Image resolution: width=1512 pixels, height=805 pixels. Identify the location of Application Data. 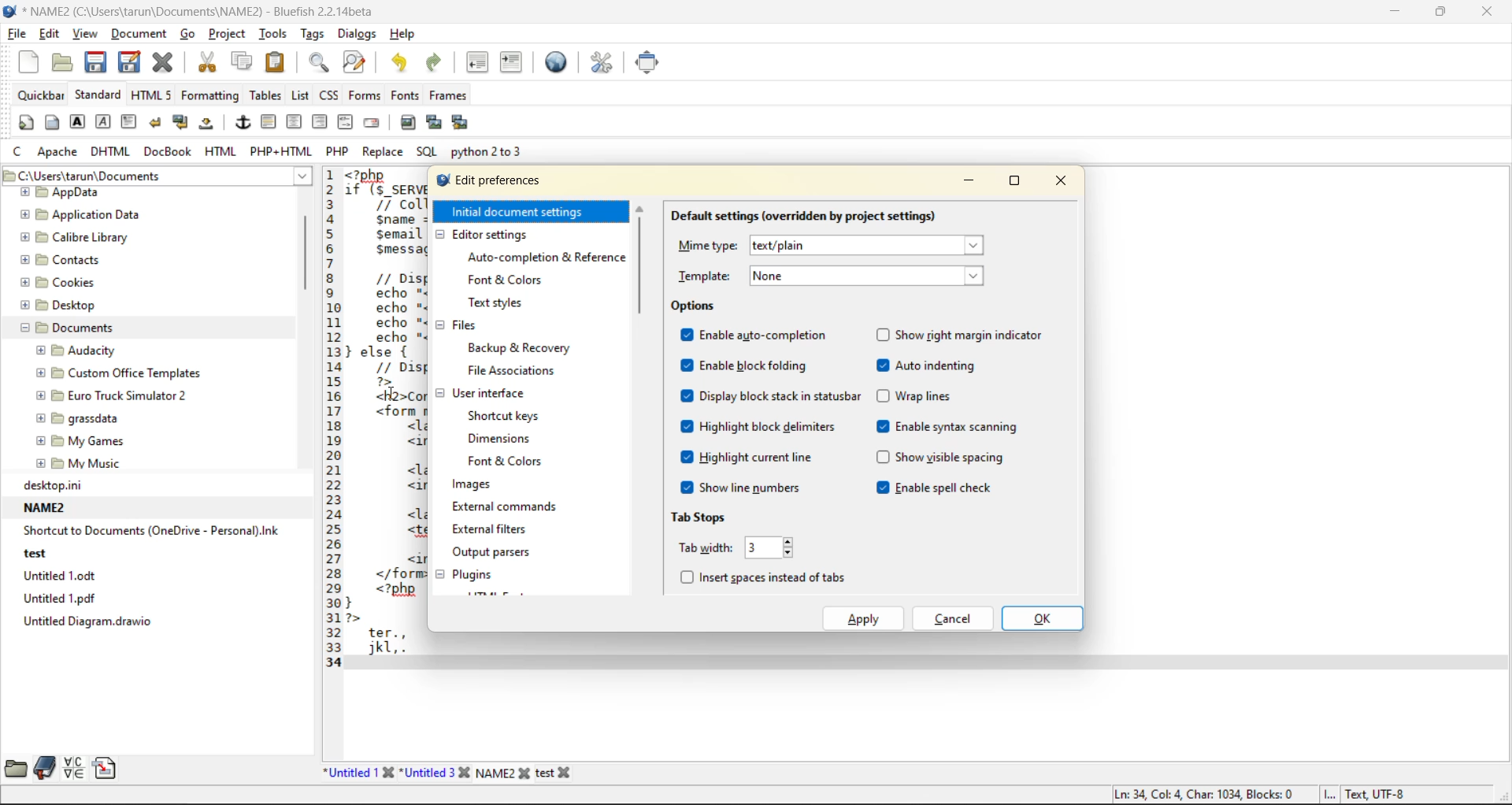
(87, 215).